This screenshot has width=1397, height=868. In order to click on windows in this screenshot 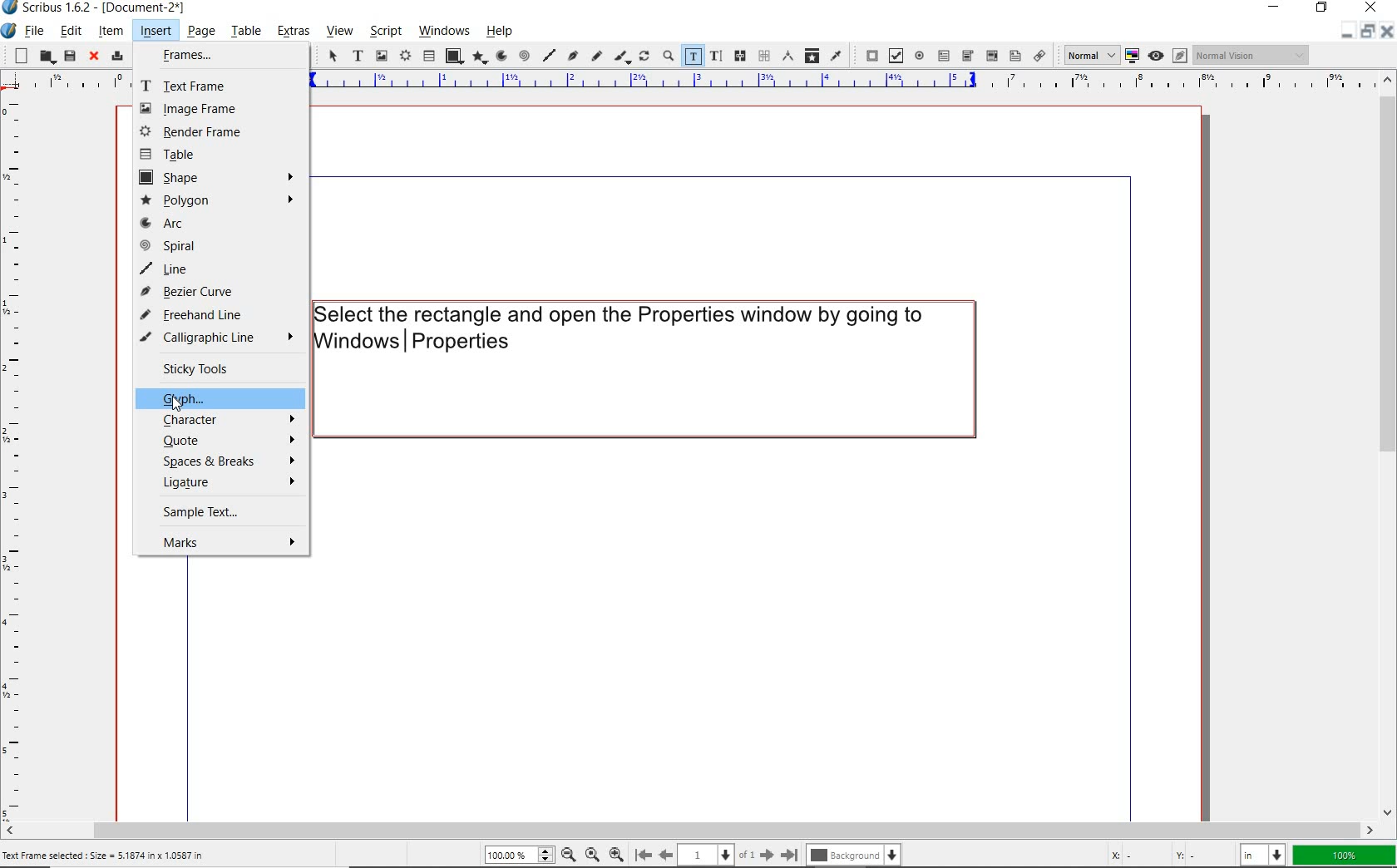, I will do `click(444, 31)`.